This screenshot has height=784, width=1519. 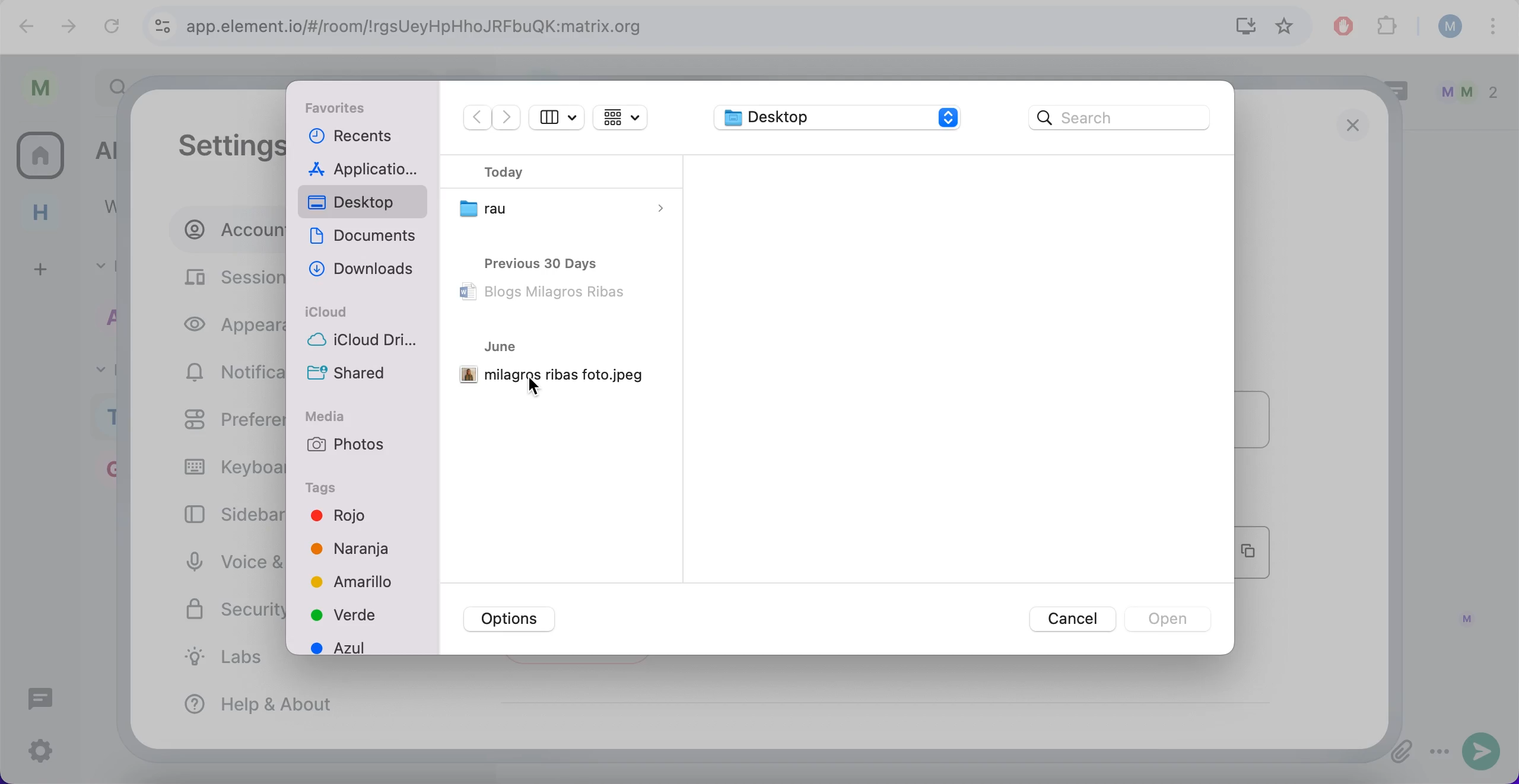 I want to click on forward, so click(x=68, y=28).